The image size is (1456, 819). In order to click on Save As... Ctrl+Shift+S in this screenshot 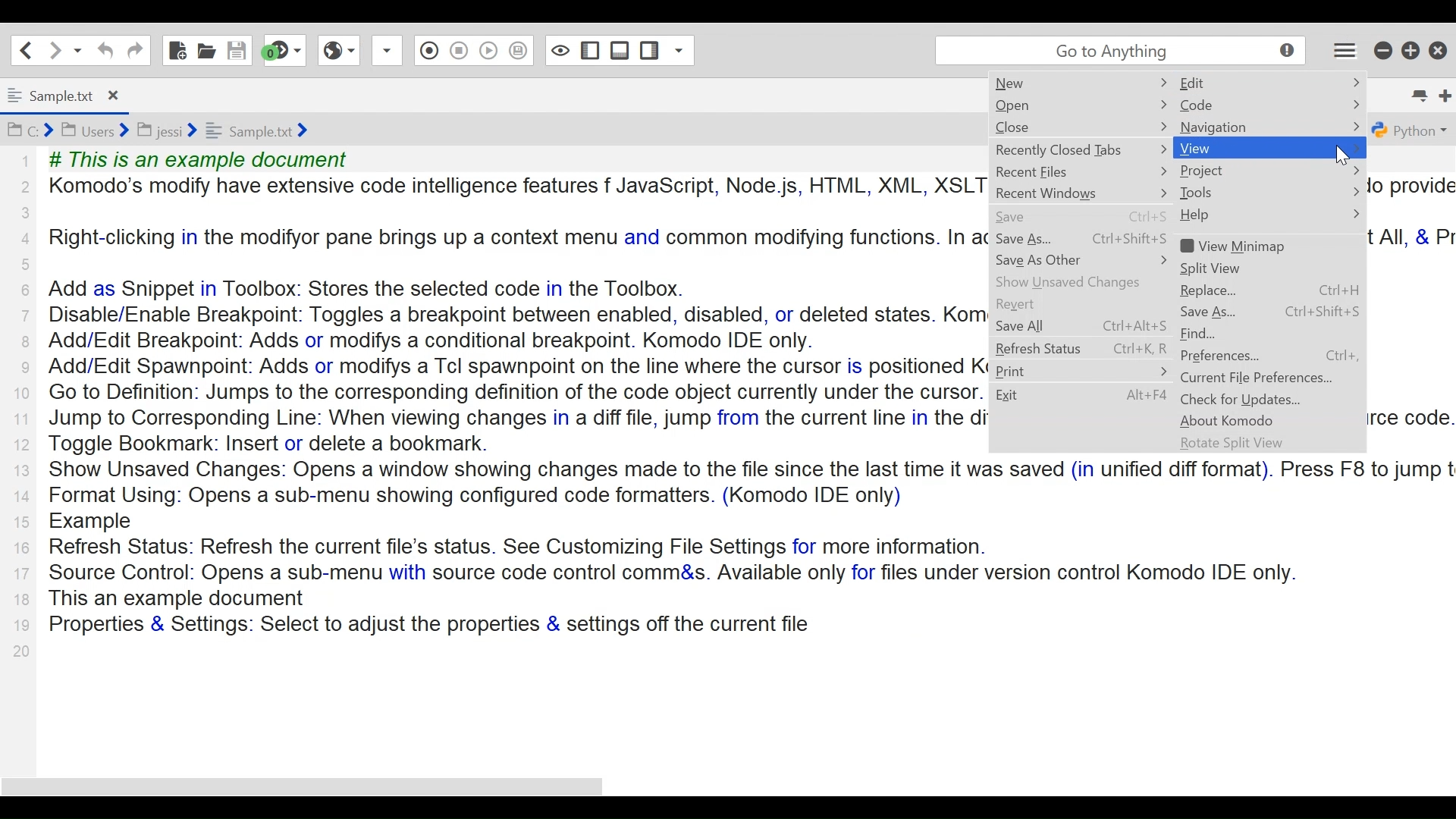, I will do `click(1081, 240)`.